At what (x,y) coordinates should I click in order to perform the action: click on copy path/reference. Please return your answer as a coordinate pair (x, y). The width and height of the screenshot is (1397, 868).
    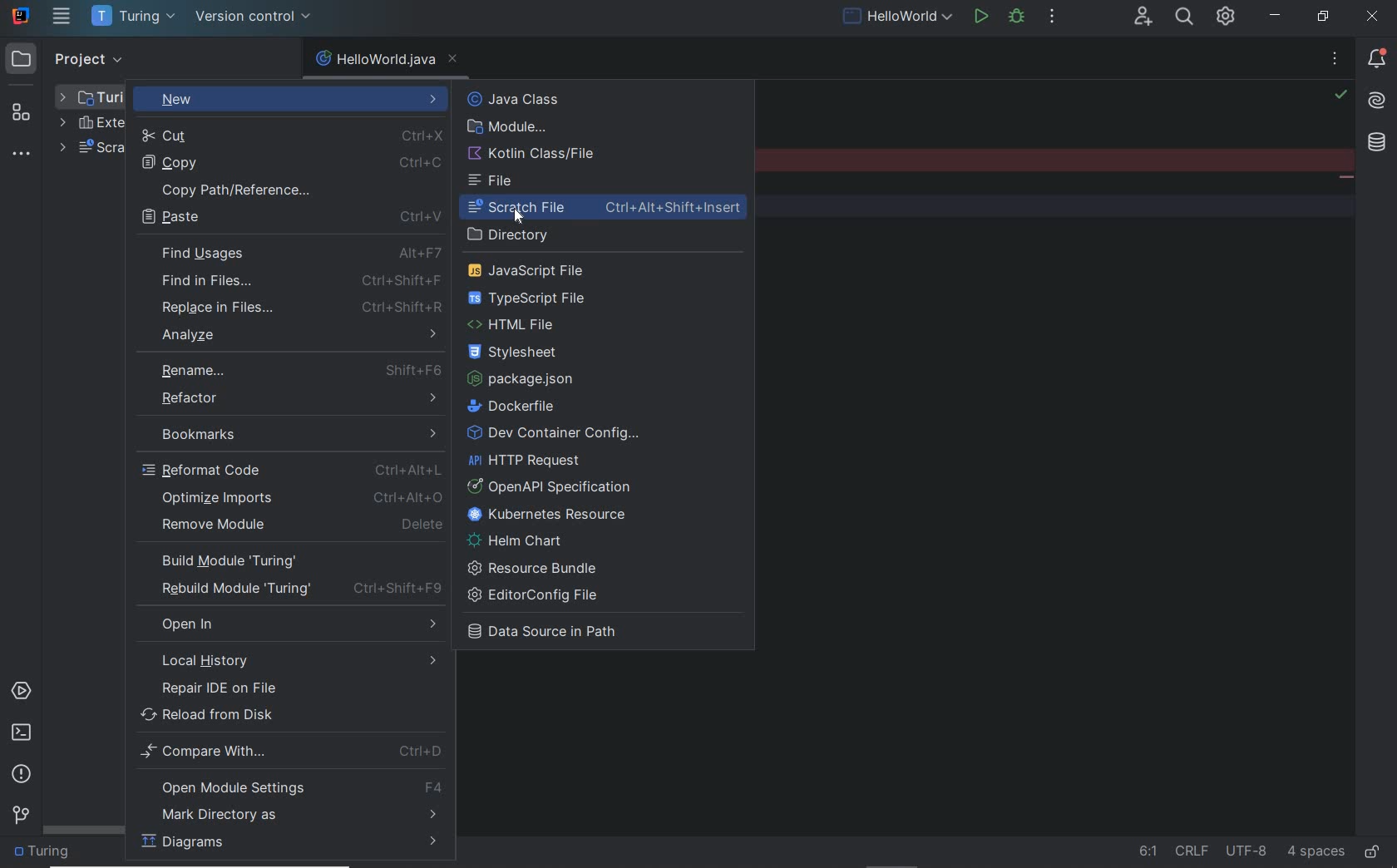
    Looking at the image, I should click on (290, 189).